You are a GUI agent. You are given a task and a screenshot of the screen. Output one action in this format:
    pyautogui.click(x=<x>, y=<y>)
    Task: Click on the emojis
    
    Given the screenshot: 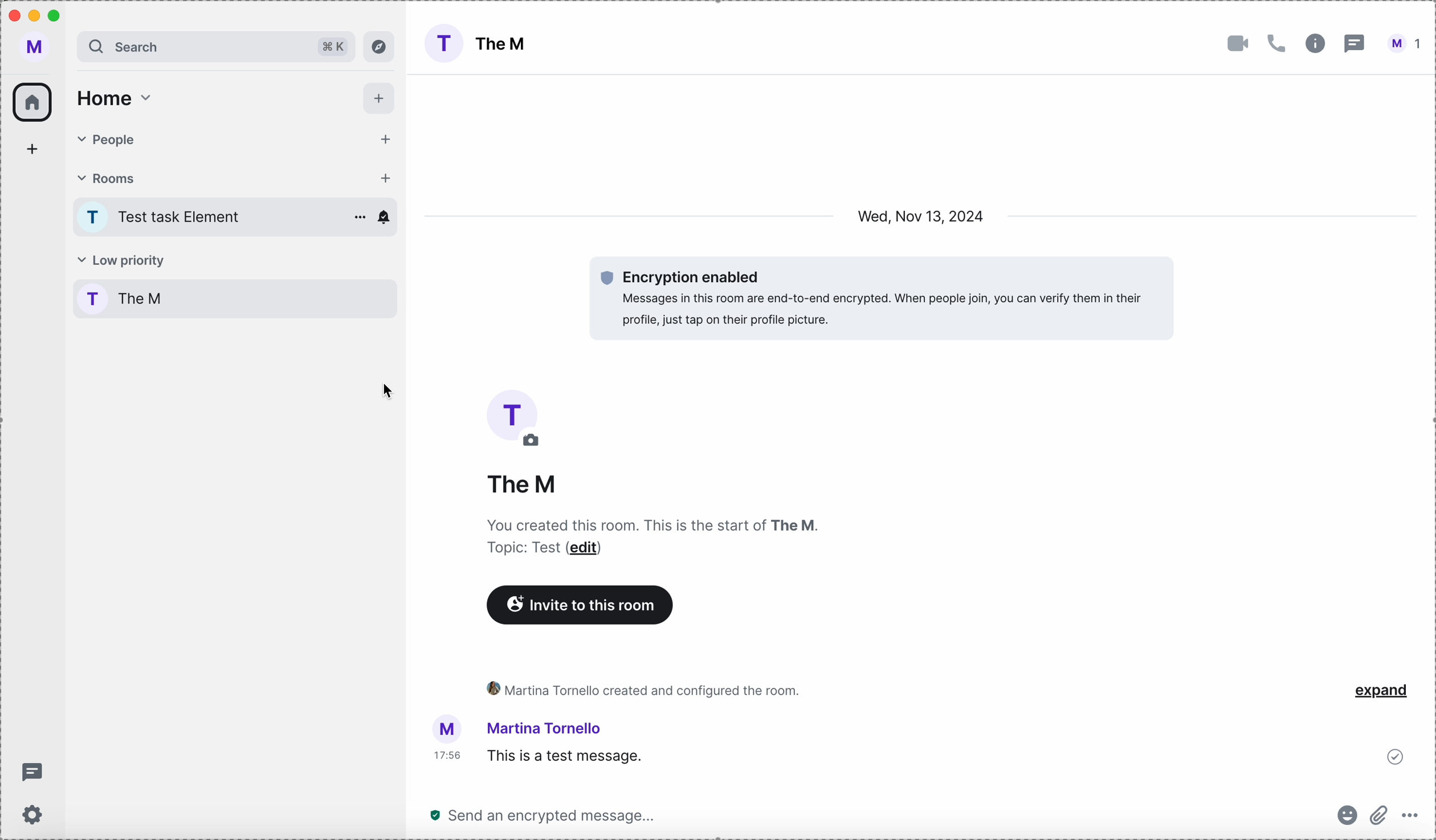 What is the action you would take?
    pyautogui.click(x=1348, y=814)
    